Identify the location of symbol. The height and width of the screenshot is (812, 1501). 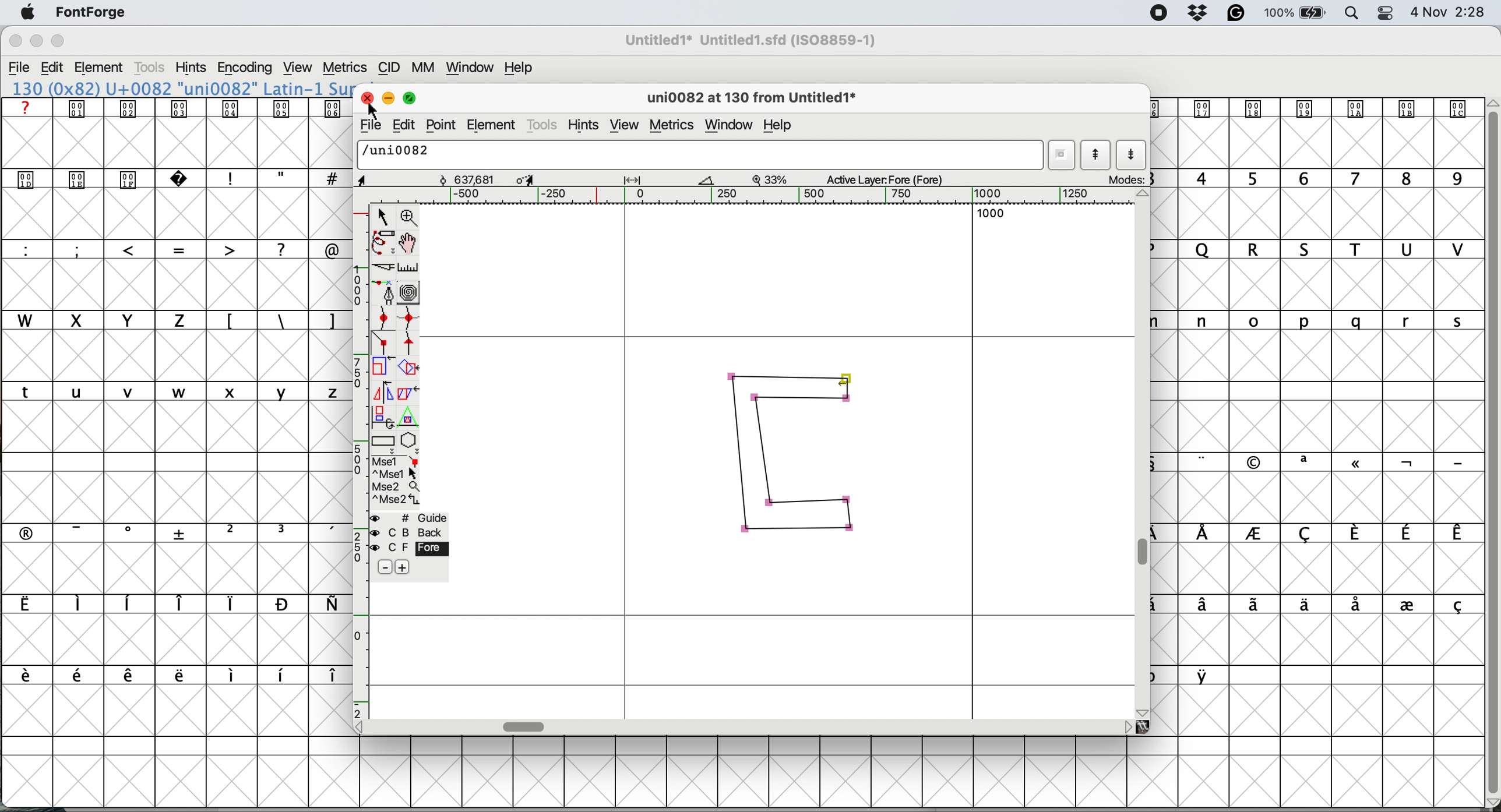
(1313, 108).